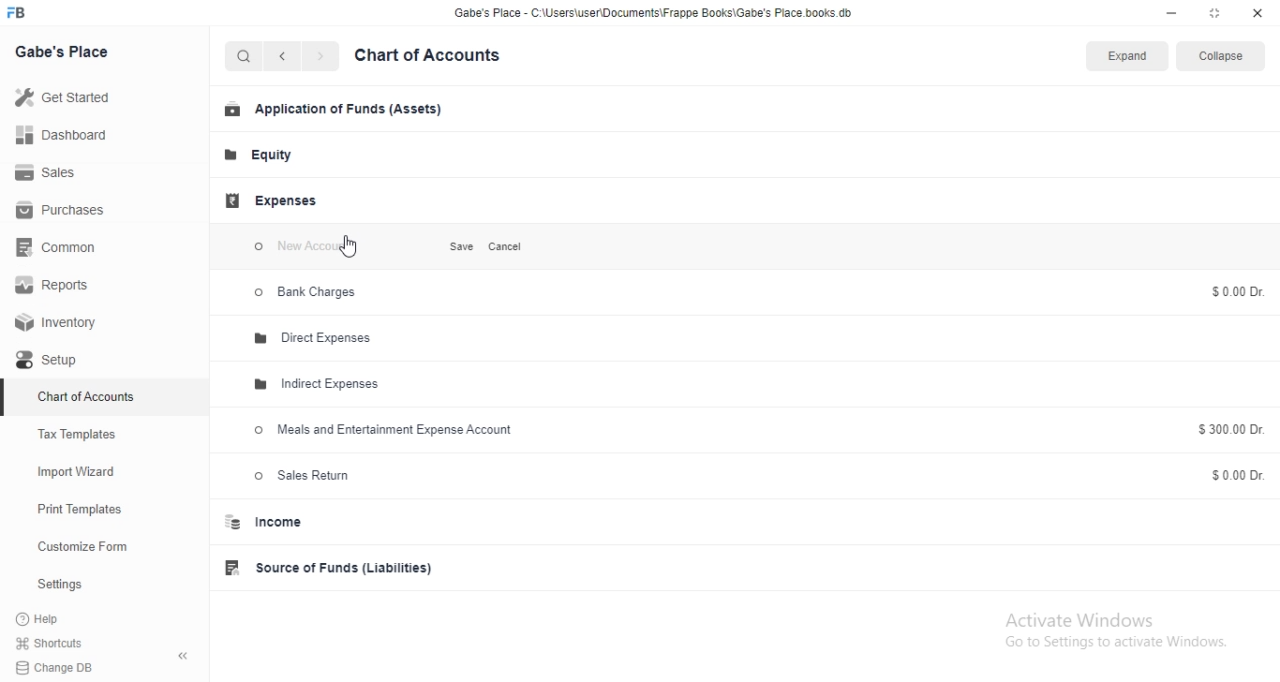  What do you see at coordinates (272, 200) in the screenshot?
I see `Expenses` at bounding box center [272, 200].